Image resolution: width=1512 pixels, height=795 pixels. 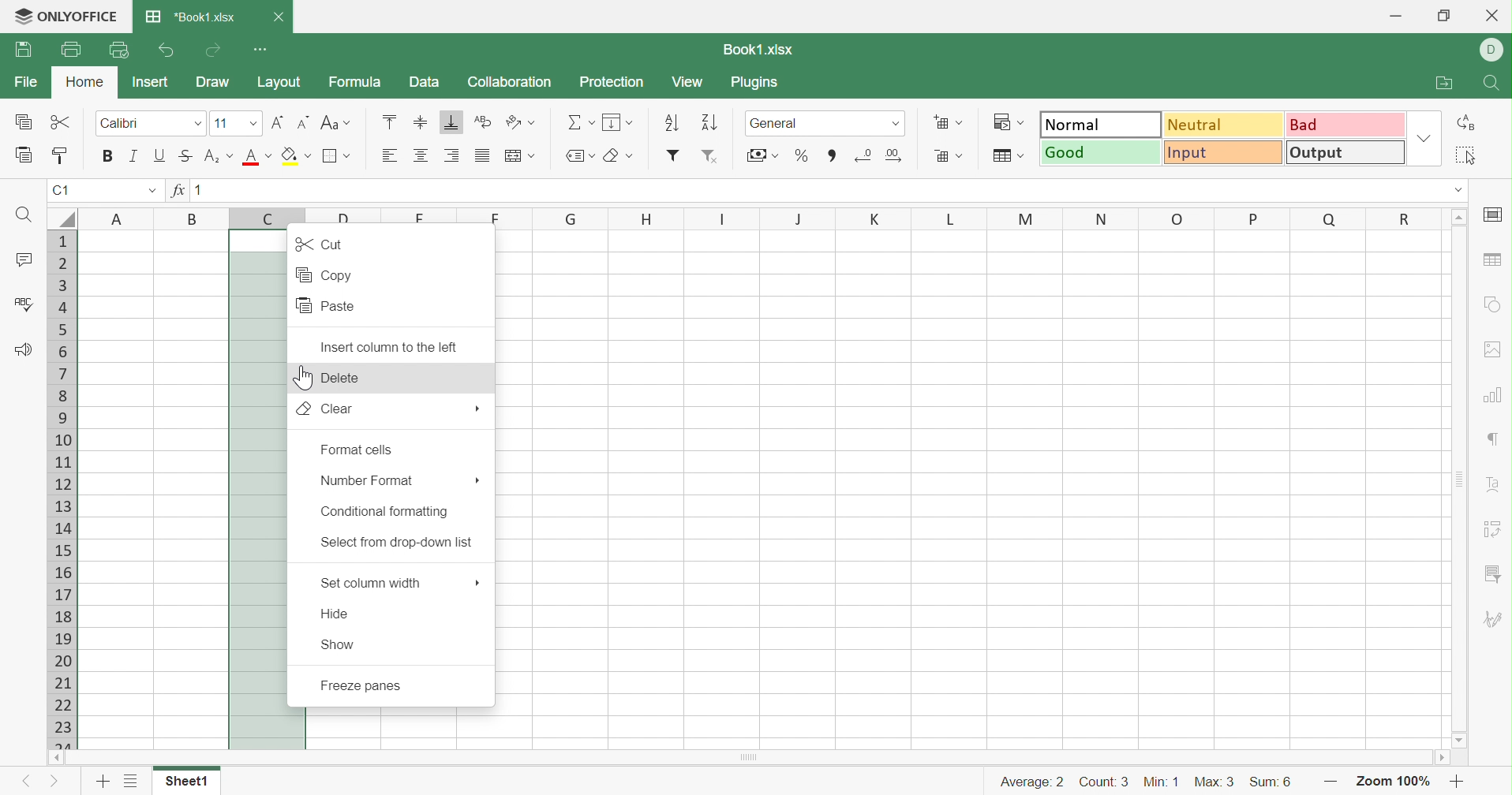 I want to click on Drop Down, so click(x=894, y=124).